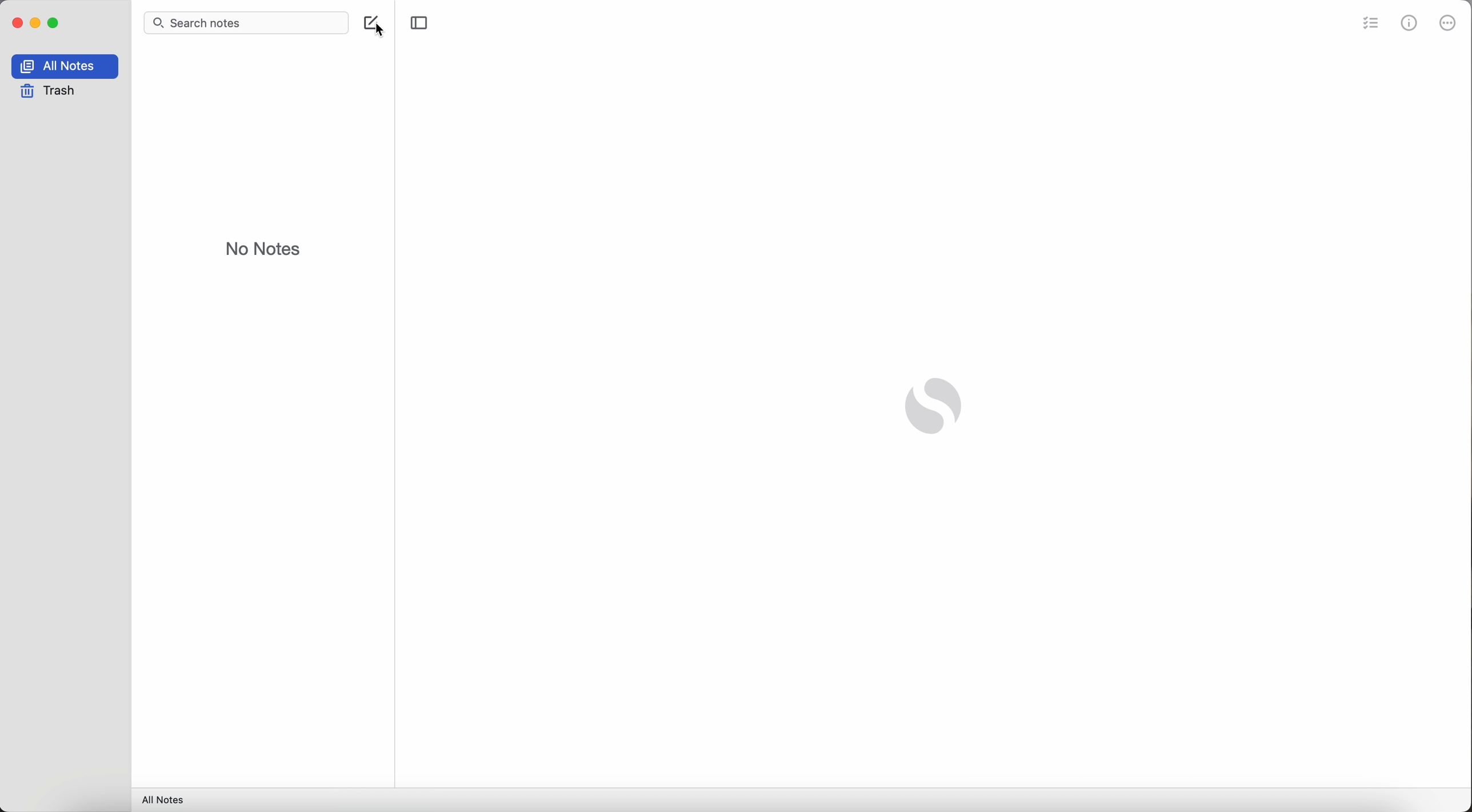 Image resolution: width=1472 pixels, height=812 pixels. Describe the element at coordinates (63, 67) in the screenshot. I see `all notes` at that location.